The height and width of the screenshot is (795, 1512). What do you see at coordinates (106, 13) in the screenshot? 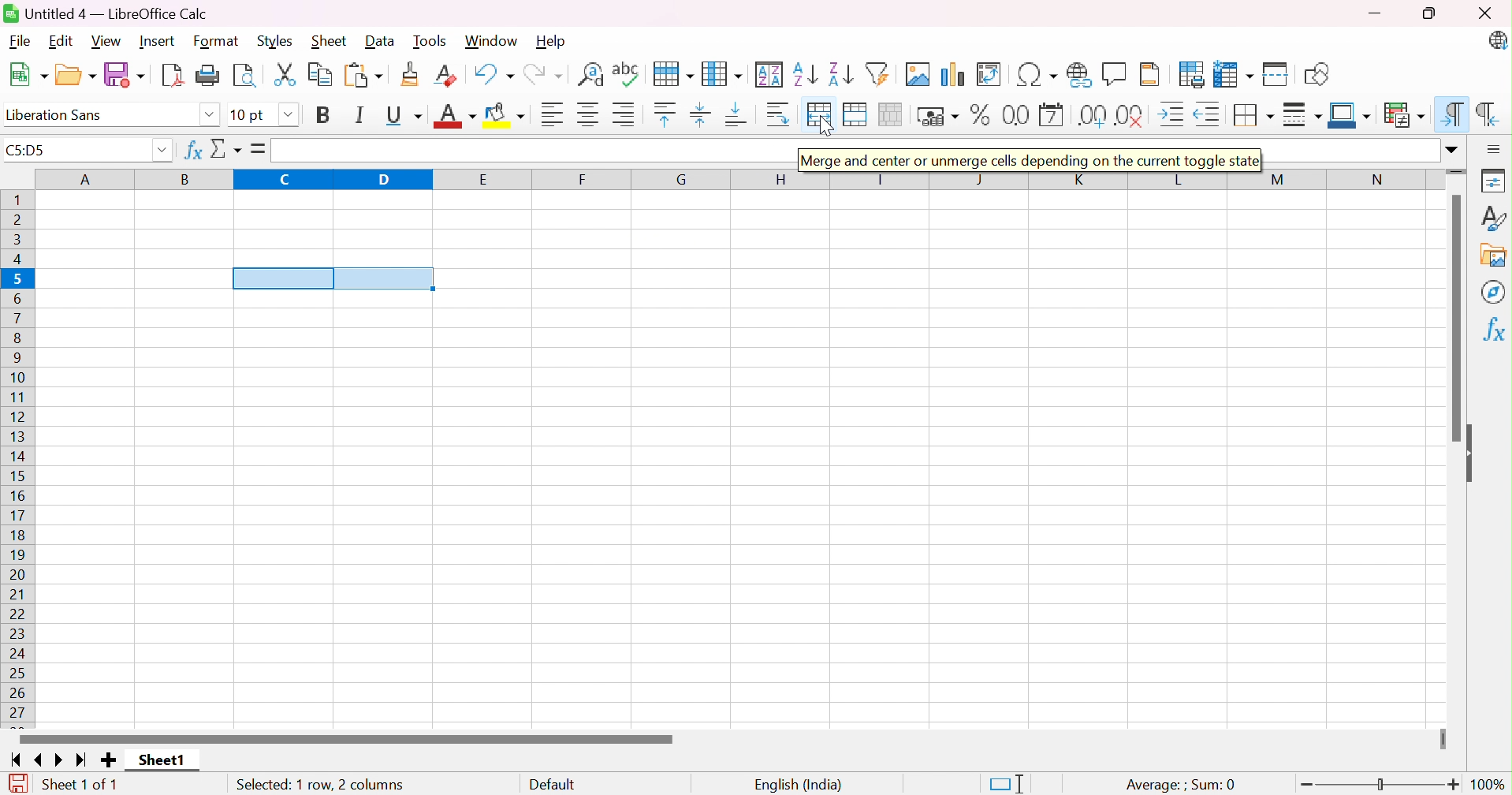
I see `Untitled 4 - LibreOffice Calc` at bounding box center [106, 13].